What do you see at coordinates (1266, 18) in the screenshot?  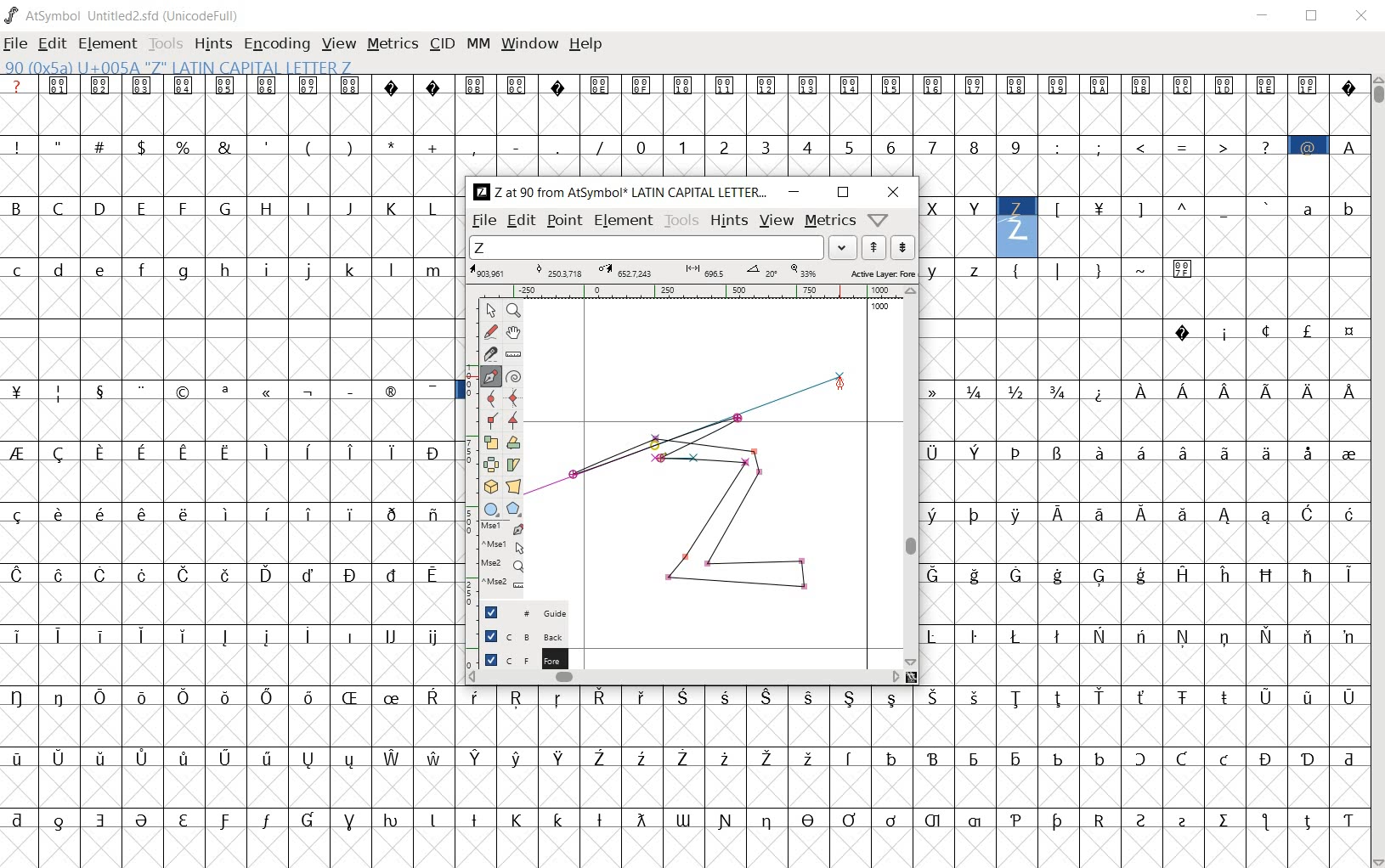 I see `minimize` at bounding box center [1266, 18].